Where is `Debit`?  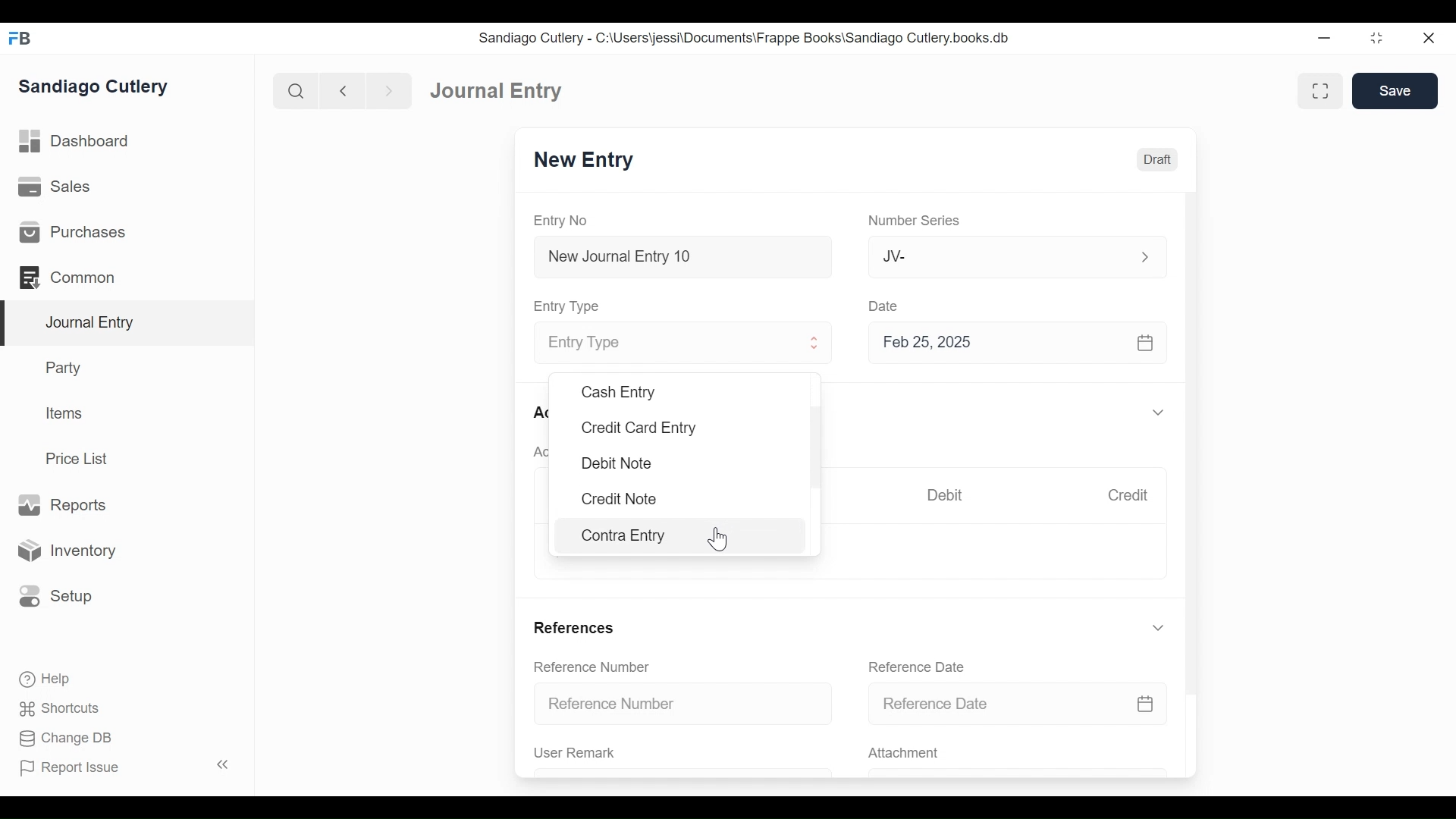
Debit is located at coordinates (949, 495).